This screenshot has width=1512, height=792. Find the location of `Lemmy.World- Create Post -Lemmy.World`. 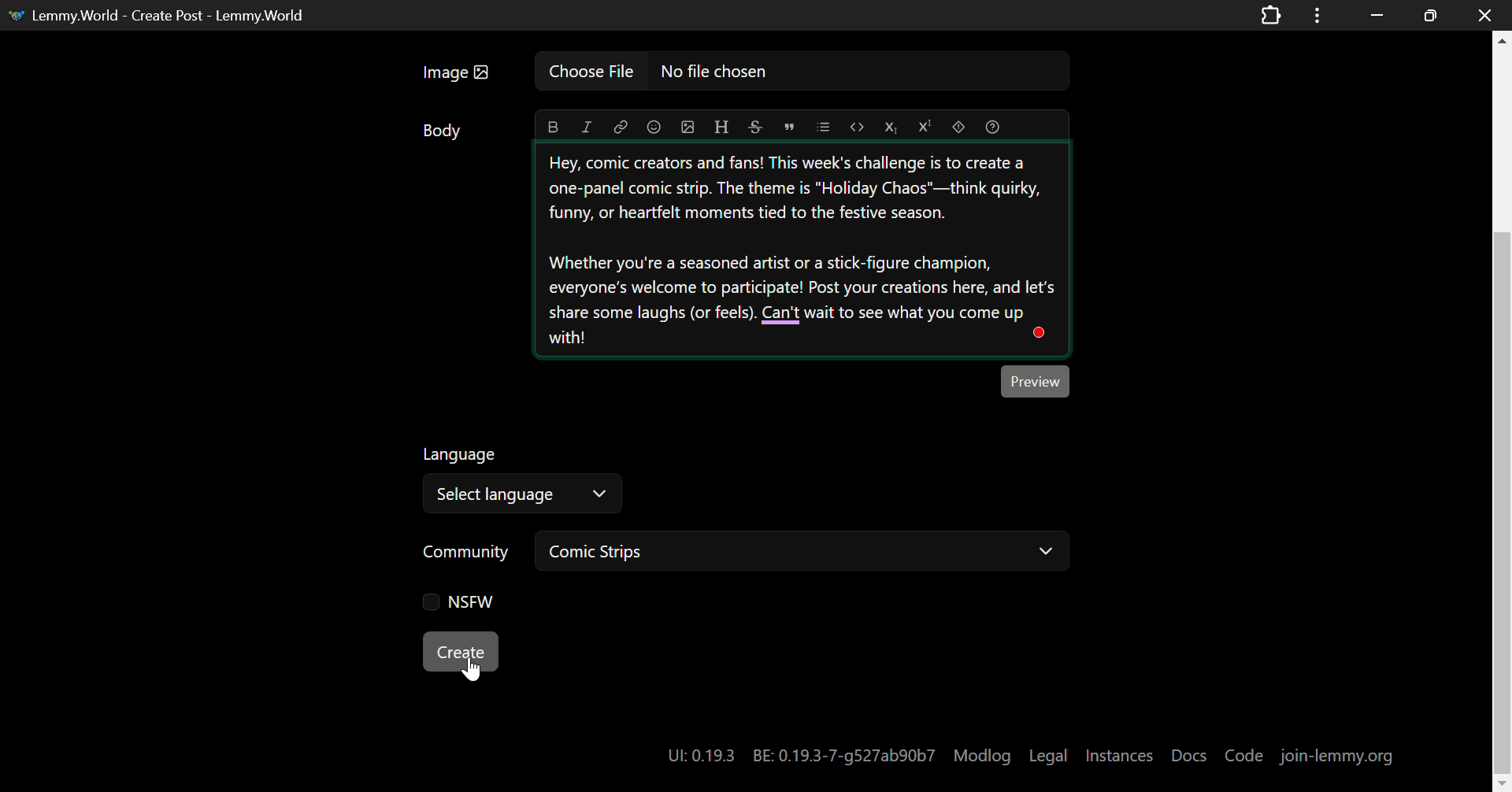

Lemmy.World- Create Post -Lemmy.World is located at coordinates (162, 13).